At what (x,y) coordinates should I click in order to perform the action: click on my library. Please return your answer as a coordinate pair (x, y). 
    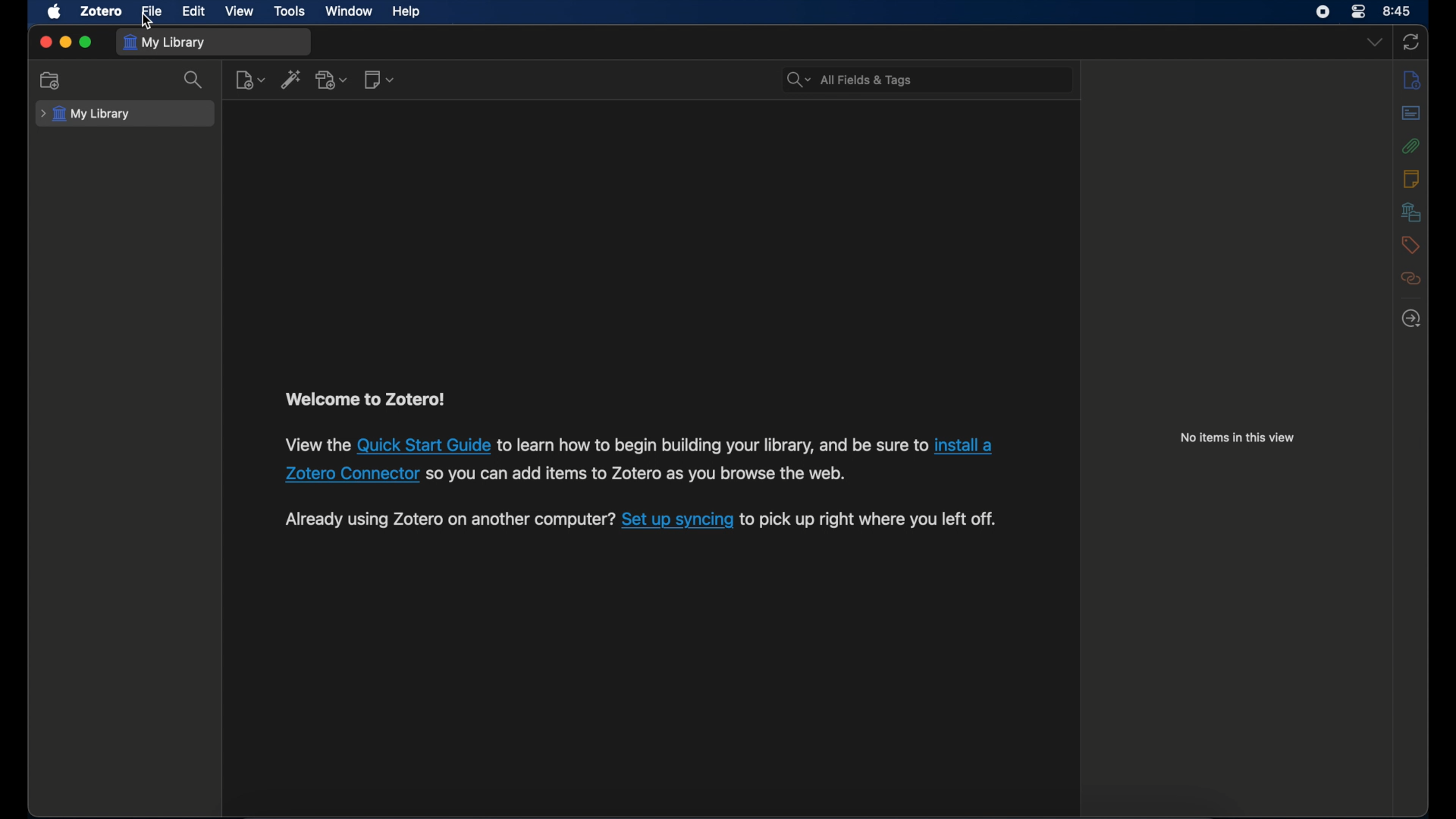
    Looking at the image, I should click on (87, 115).